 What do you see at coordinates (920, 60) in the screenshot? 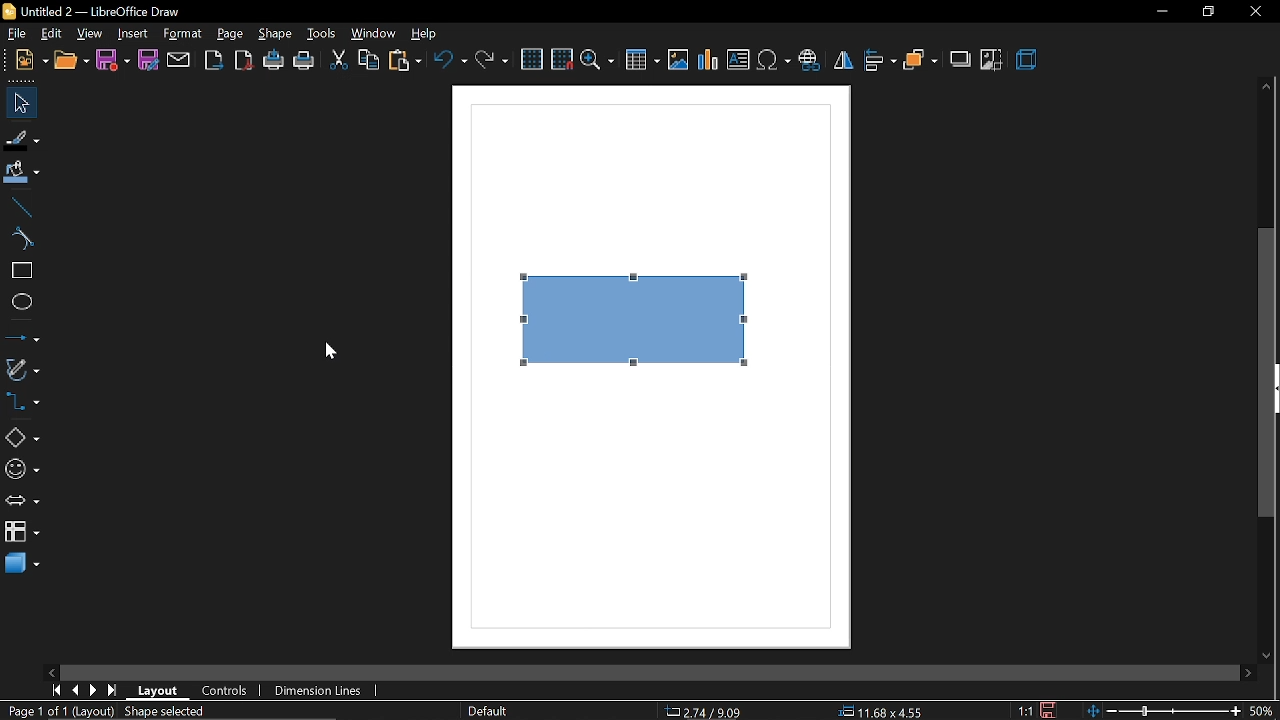
I see `arrange` at bounding box center [920, 60].